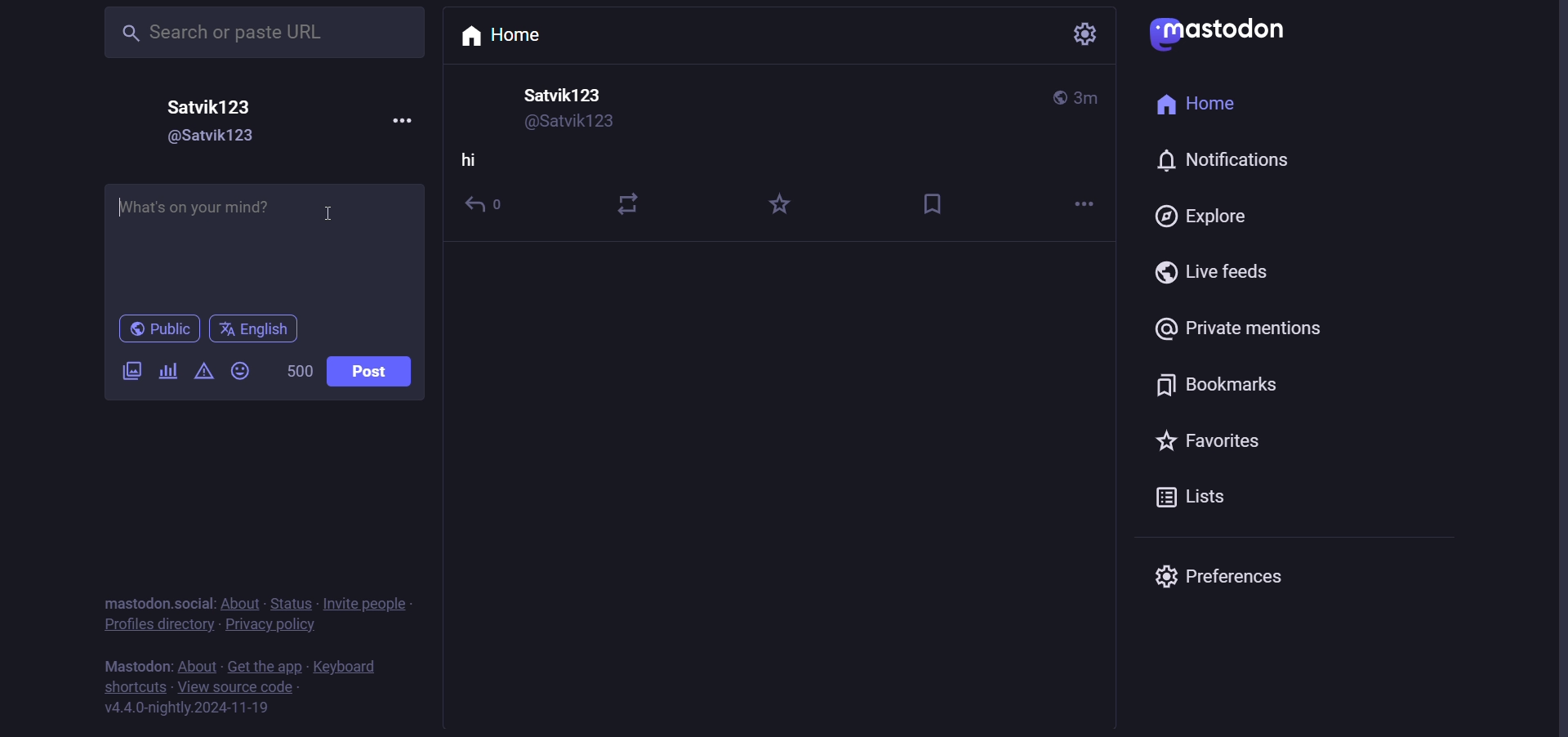 Image resolution: width=1568 pixels, height=737 pixels. What do you see at coordinates (157, 628) in the screenshot?
I see `profiles` at bounding box center [157, 628].